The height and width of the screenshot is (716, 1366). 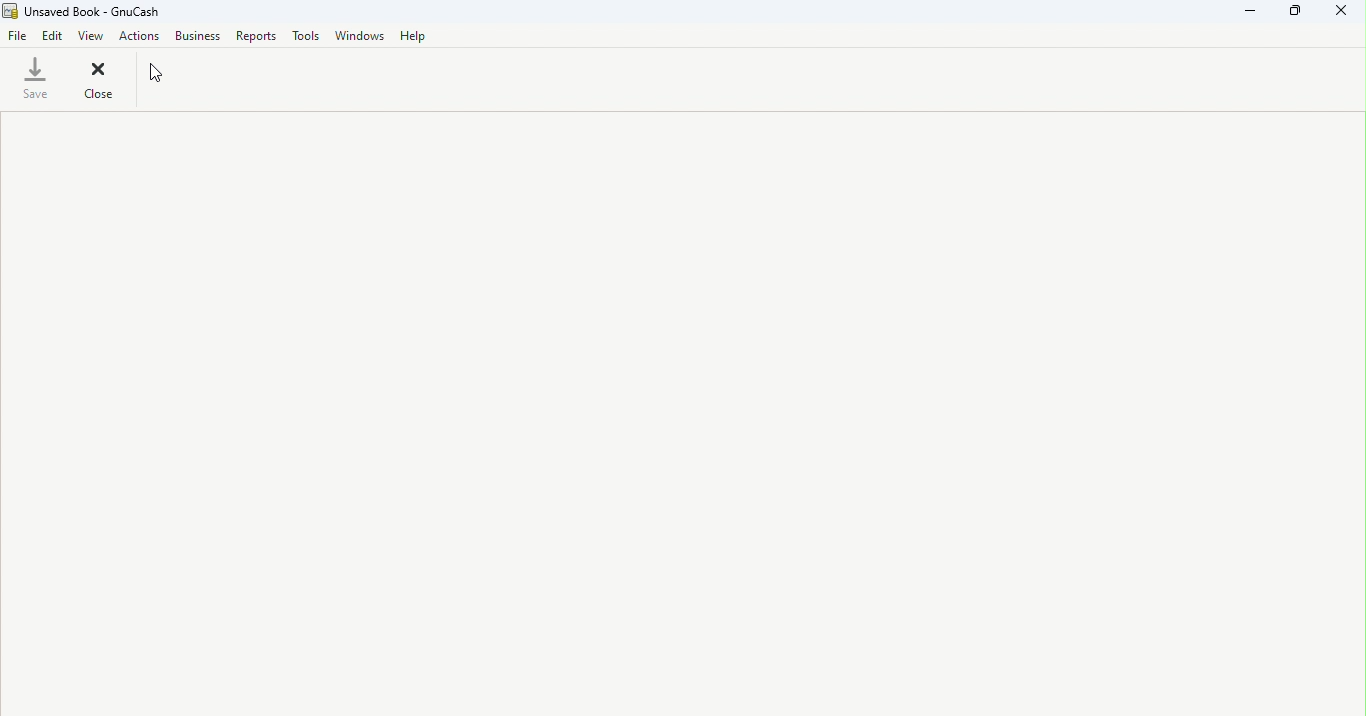 I want to click on File name, so click(x=83, y=11).